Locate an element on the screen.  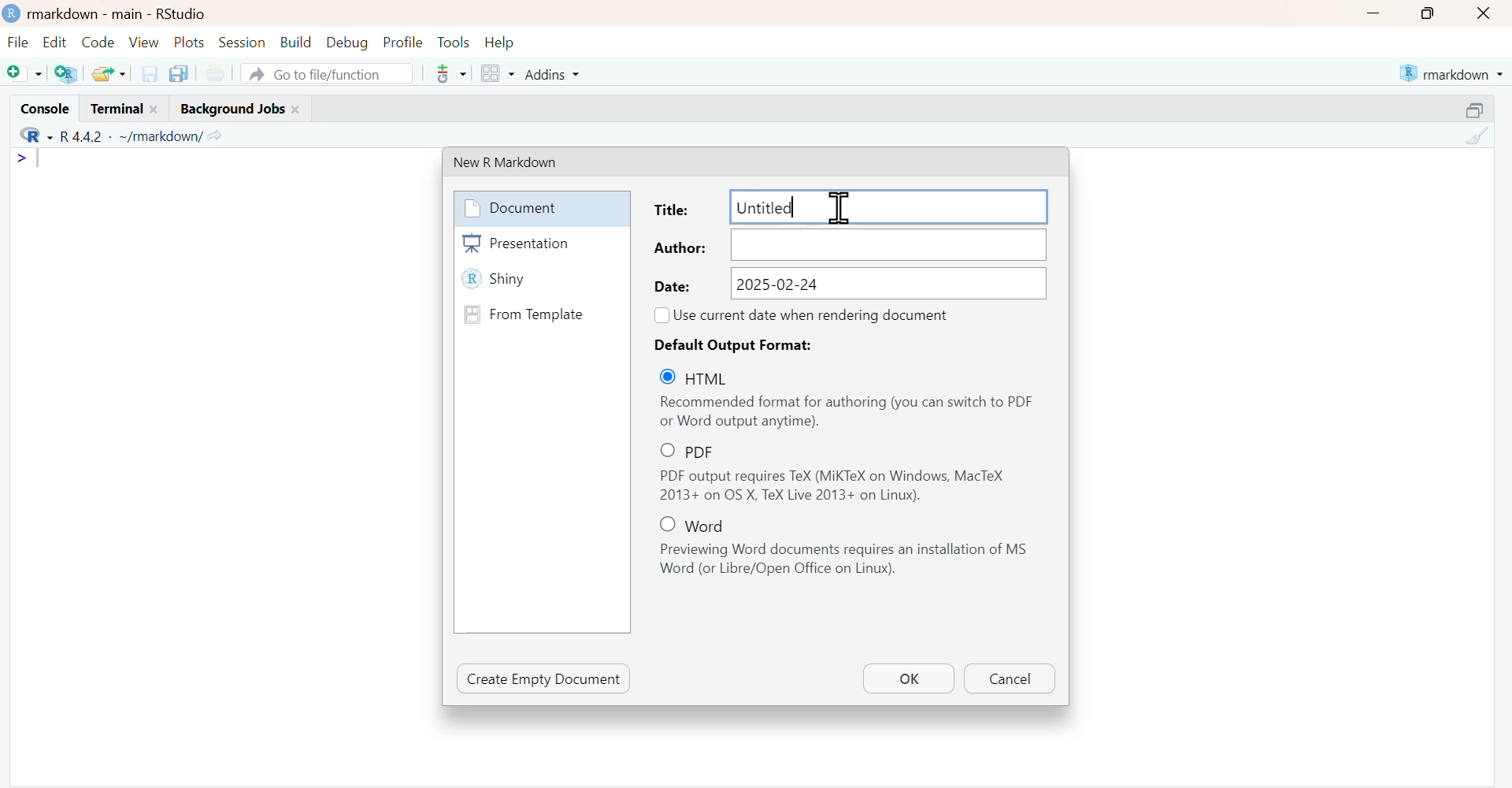
Document is located at coordinates (539, 208).